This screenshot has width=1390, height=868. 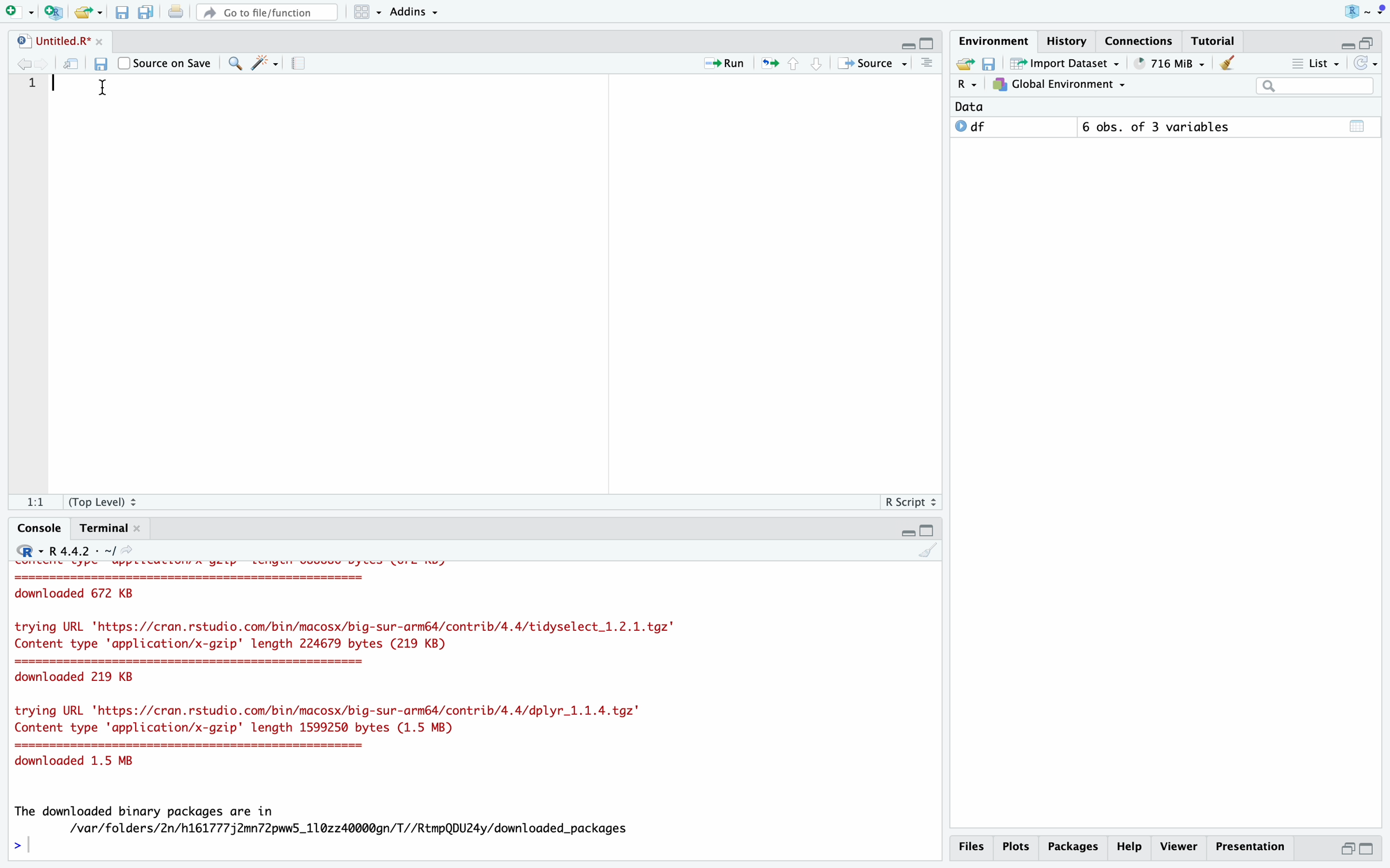 What do you see at coordinates (1368, 850) in the screenshot?
I see `Full Height` at bounding box center [1368, 850].